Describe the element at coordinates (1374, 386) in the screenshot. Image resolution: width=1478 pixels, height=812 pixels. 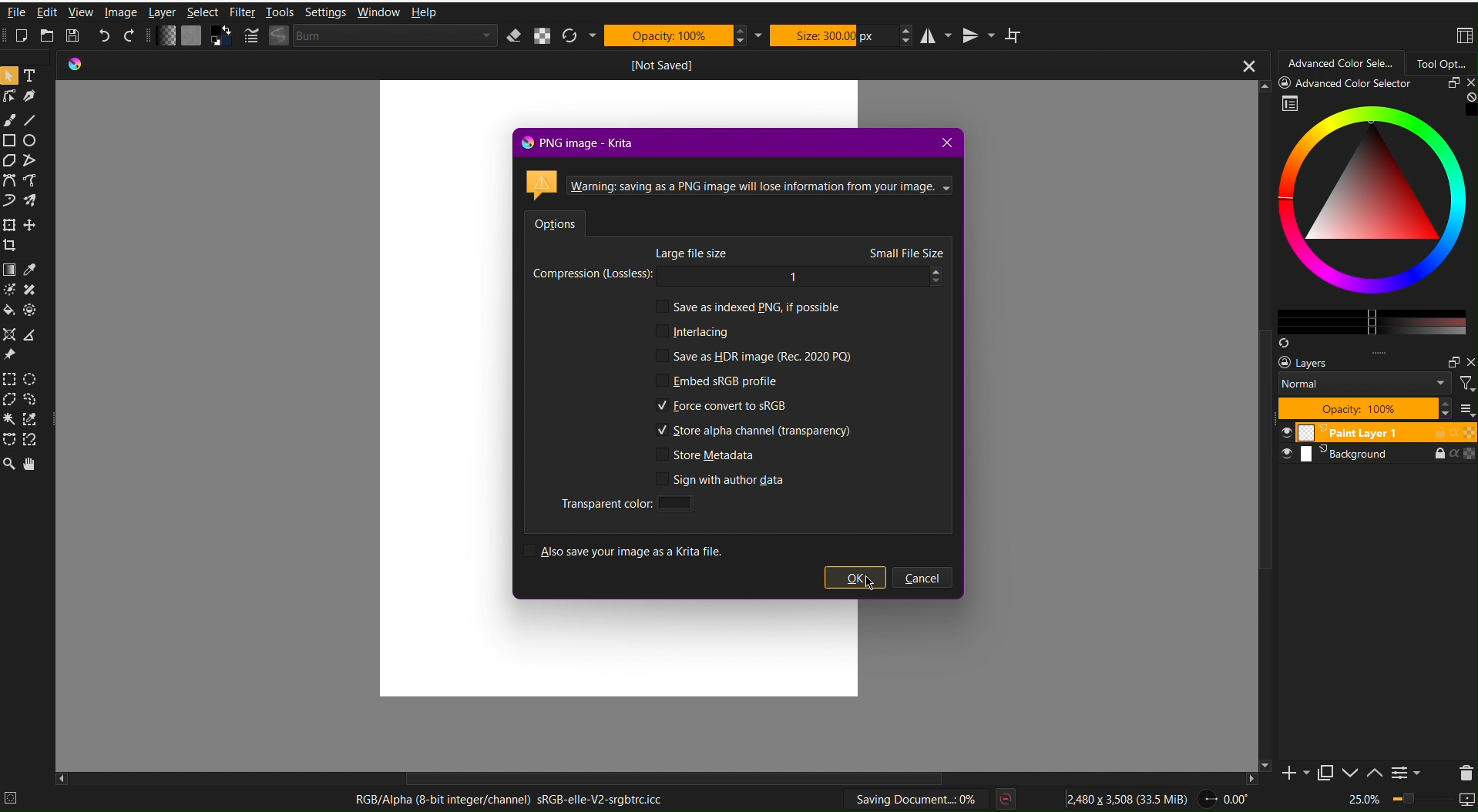
I see `Layer Settings` at that location.